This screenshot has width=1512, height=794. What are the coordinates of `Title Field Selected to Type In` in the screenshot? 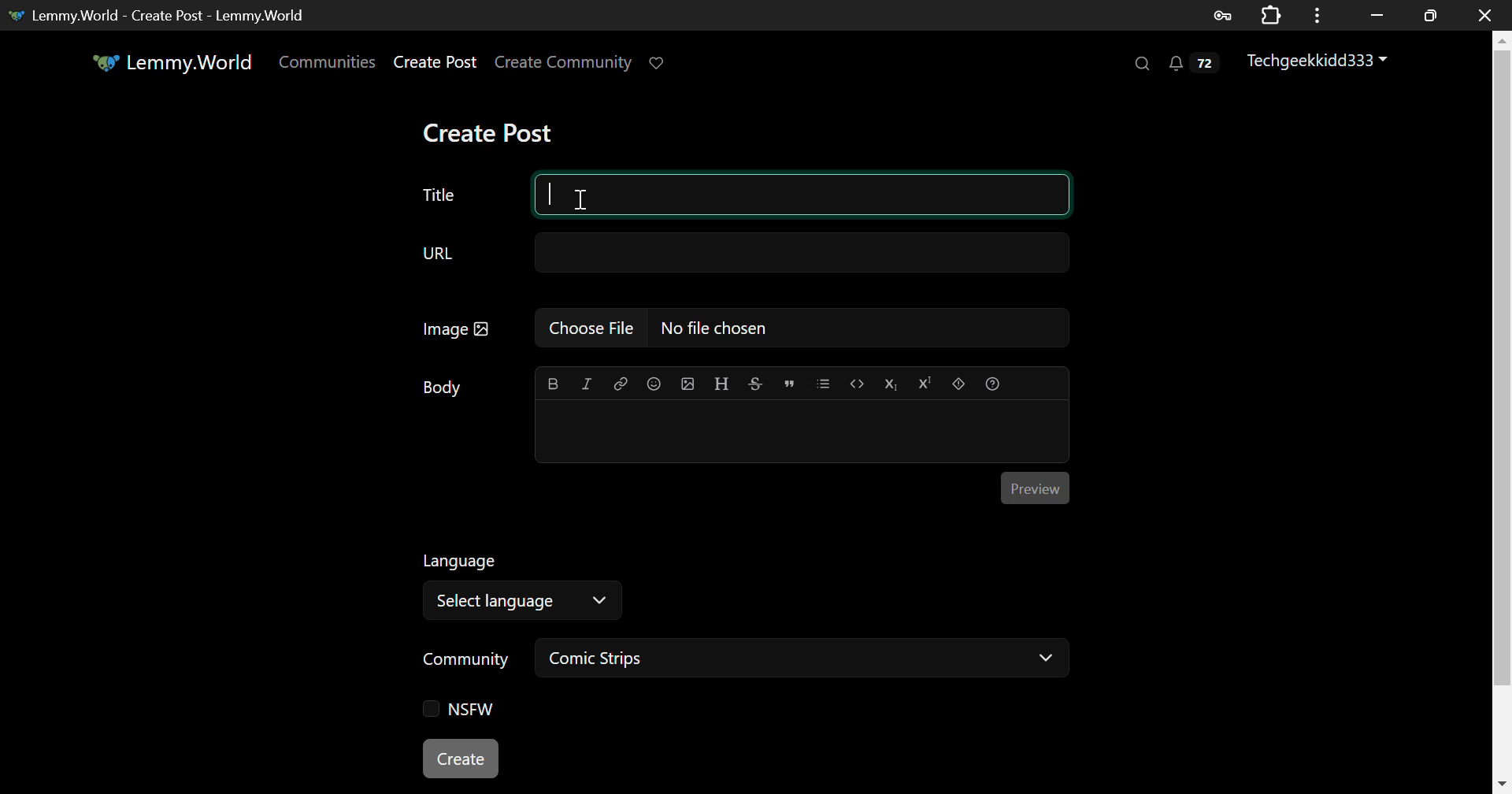 It's located at (802, 195).